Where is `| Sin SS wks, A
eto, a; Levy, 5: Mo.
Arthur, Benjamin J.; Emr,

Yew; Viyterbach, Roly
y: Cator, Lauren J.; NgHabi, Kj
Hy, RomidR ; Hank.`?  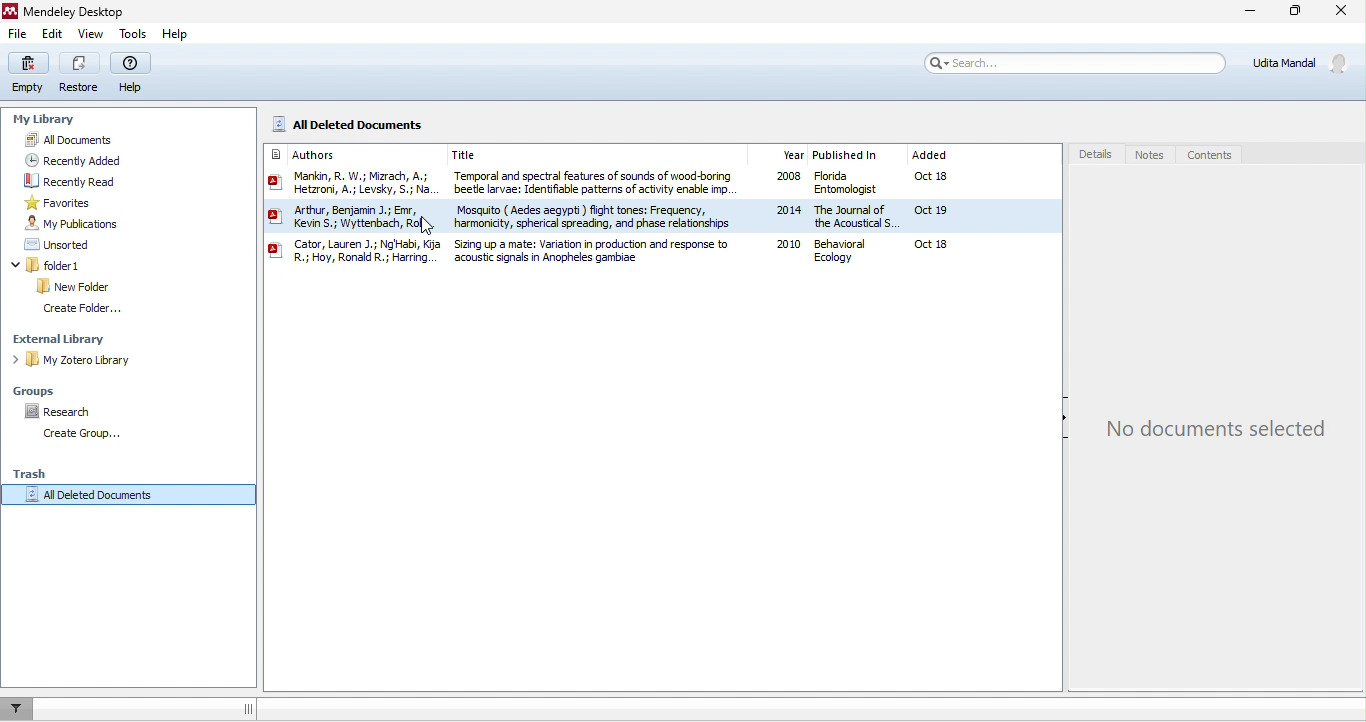 | Sin SS wks, A
eto, a; Levy, 5: Mo.
Arthur, Benjamin J.; Emr,

Yew; Viyterbach, Roly
y: Cator, Lauren J.; NgHabi, Kj
Hy, RomidR ; Hank. is located at coordinates (347, 217).